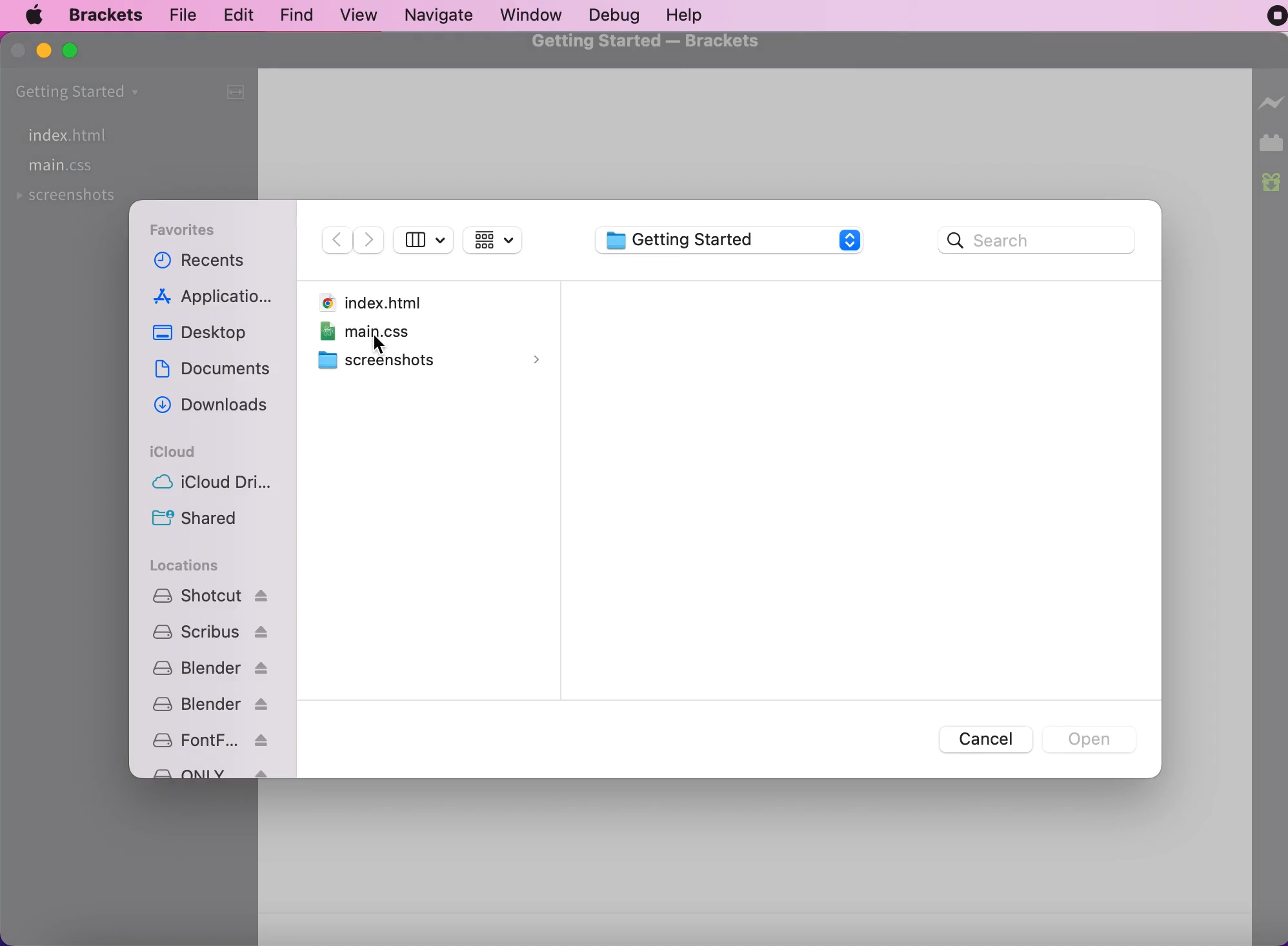 This screenshot has width=1288, height=946. I want to click on documents, so click(214, 372).